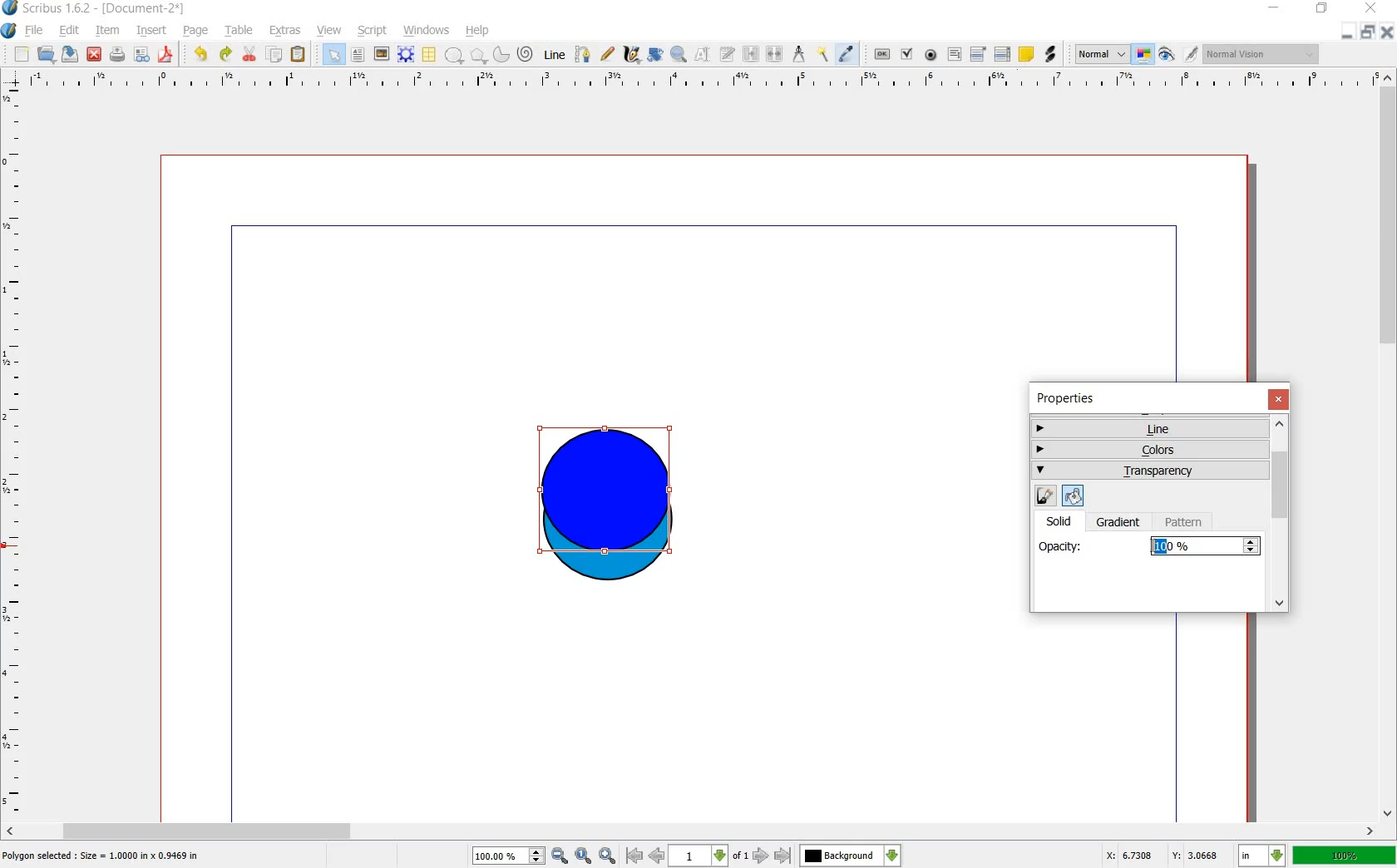 This screenshot has height=868, width=1397. Describe the element at coordinates (8, 31) in the screenshot. I see `system logo` at that location.